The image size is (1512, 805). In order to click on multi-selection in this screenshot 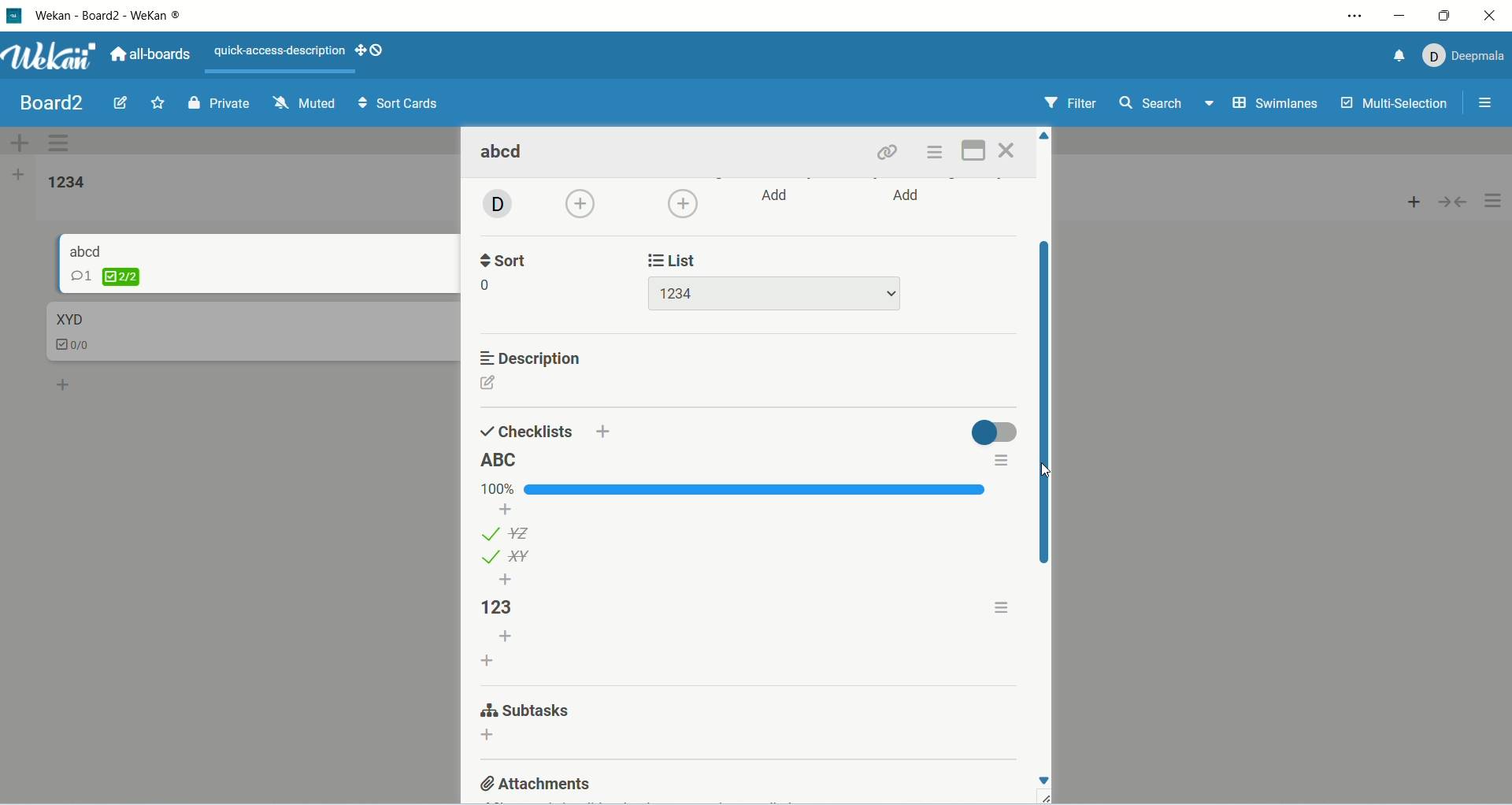, I will do `click(1396, 106)`.